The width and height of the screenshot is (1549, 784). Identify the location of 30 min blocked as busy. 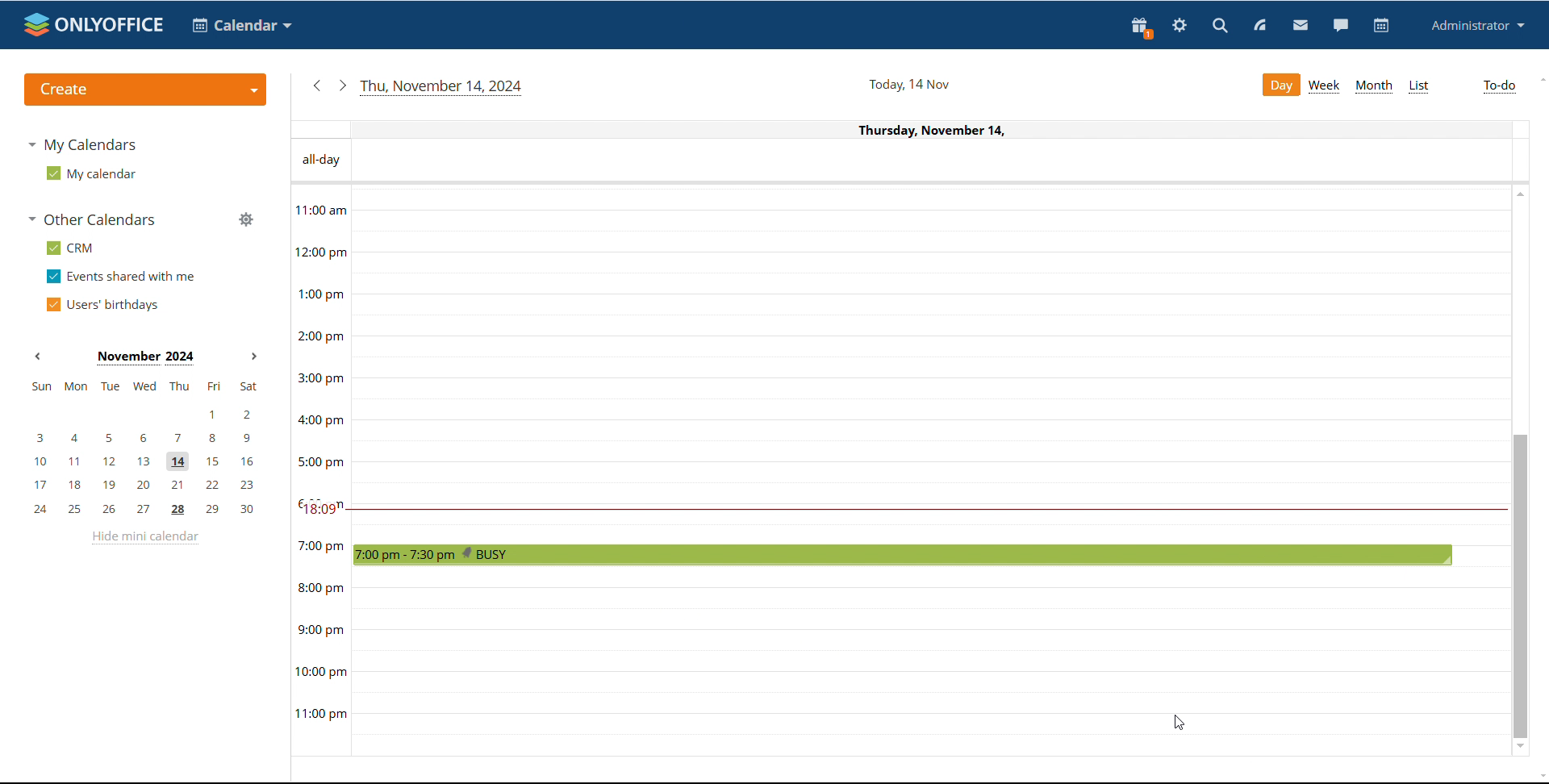
(902, 554).